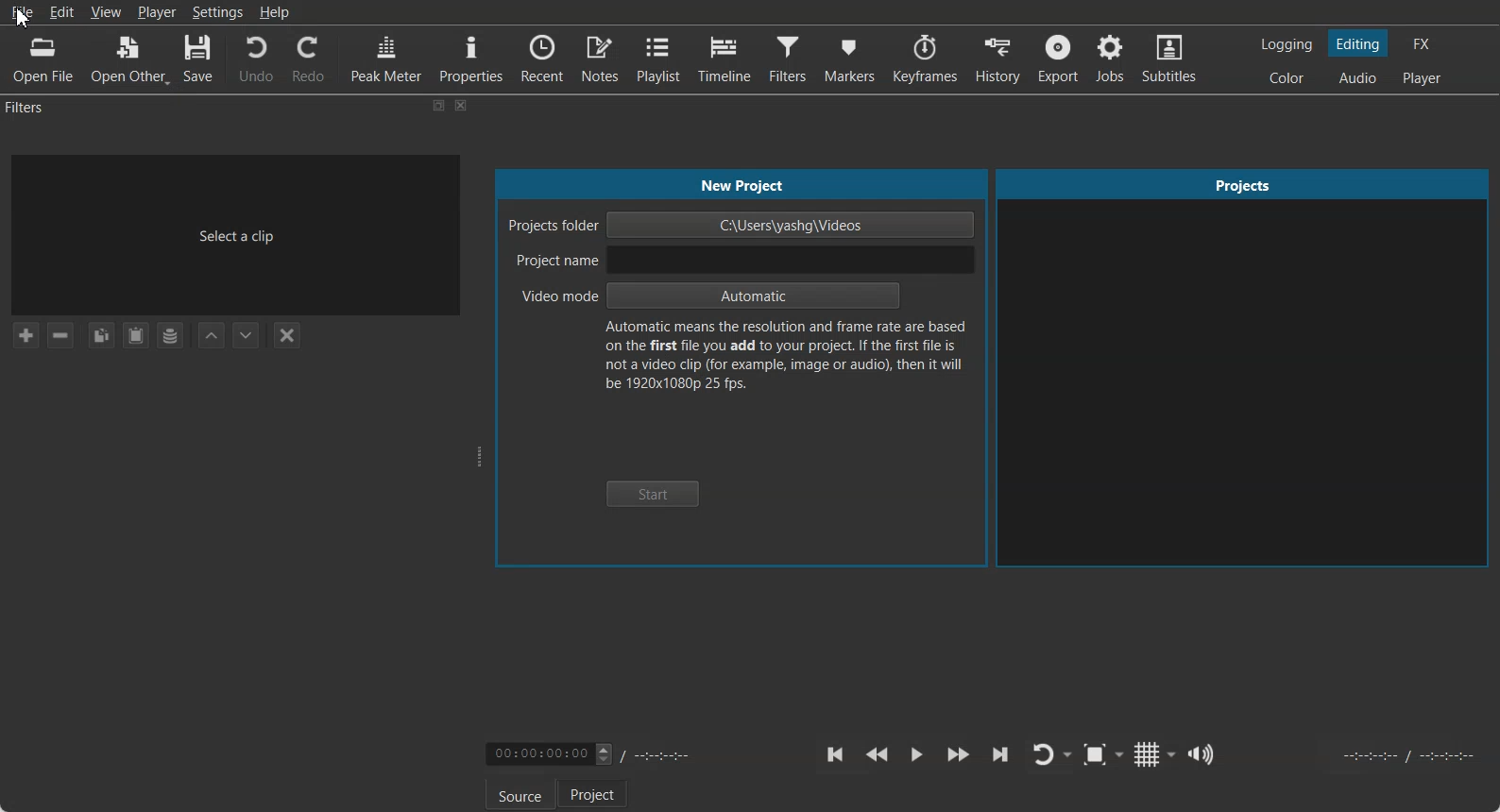  What do you see at coordinates (1121, 753) in the screenshot?
I see `Drop down box` at bounding box center [1121, 753].